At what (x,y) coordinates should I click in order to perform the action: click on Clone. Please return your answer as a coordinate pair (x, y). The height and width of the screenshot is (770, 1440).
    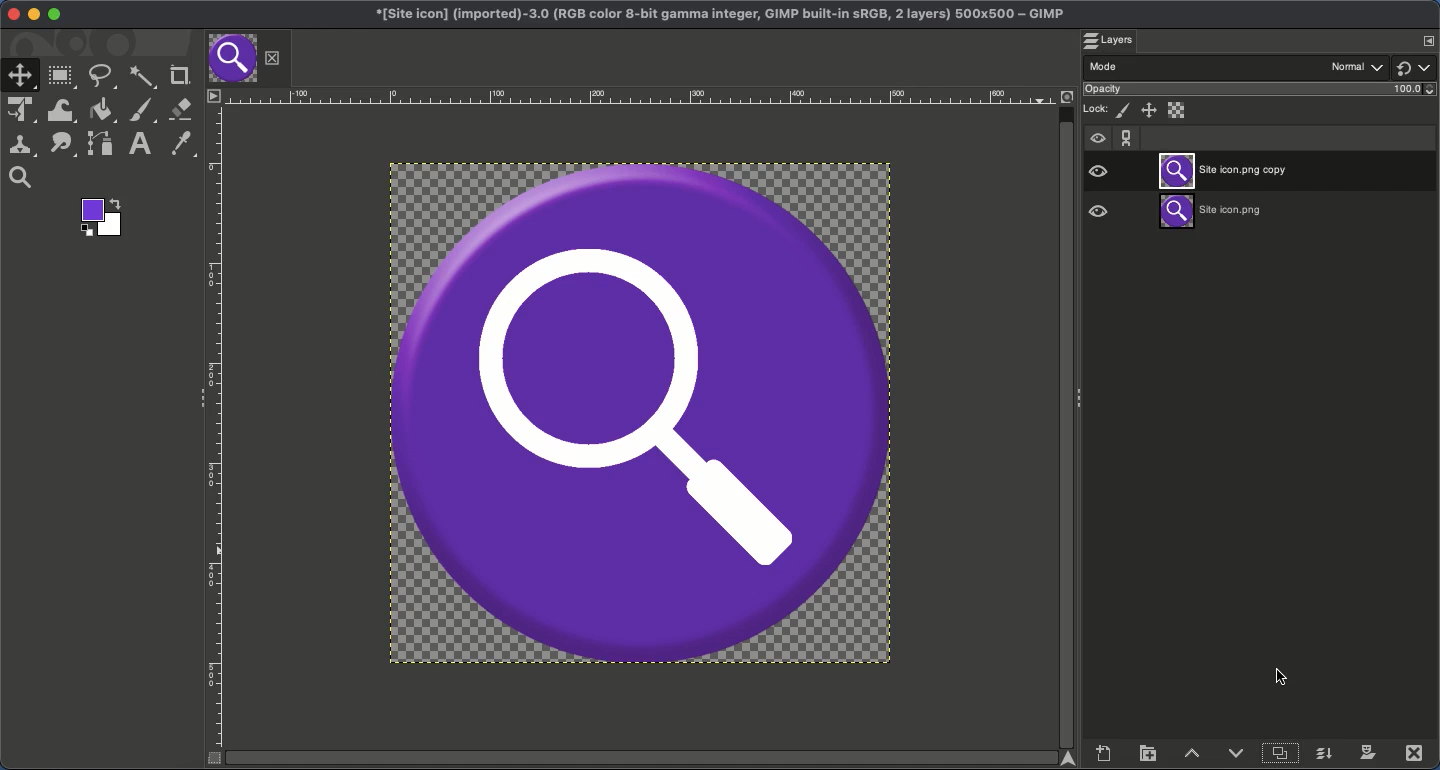
    Looking at the image, I should click on (19, 147).